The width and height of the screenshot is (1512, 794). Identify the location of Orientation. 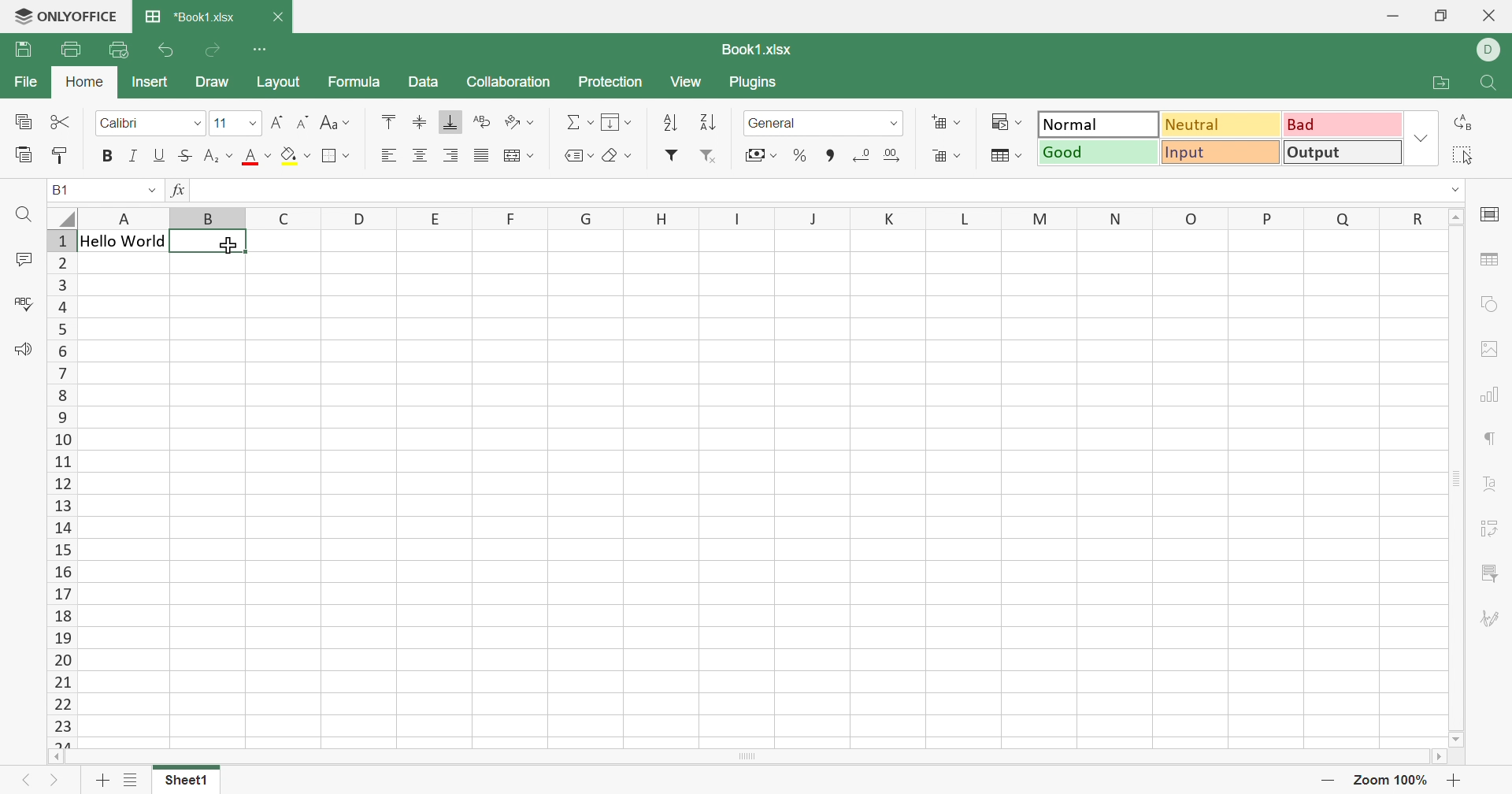
(514, 122).